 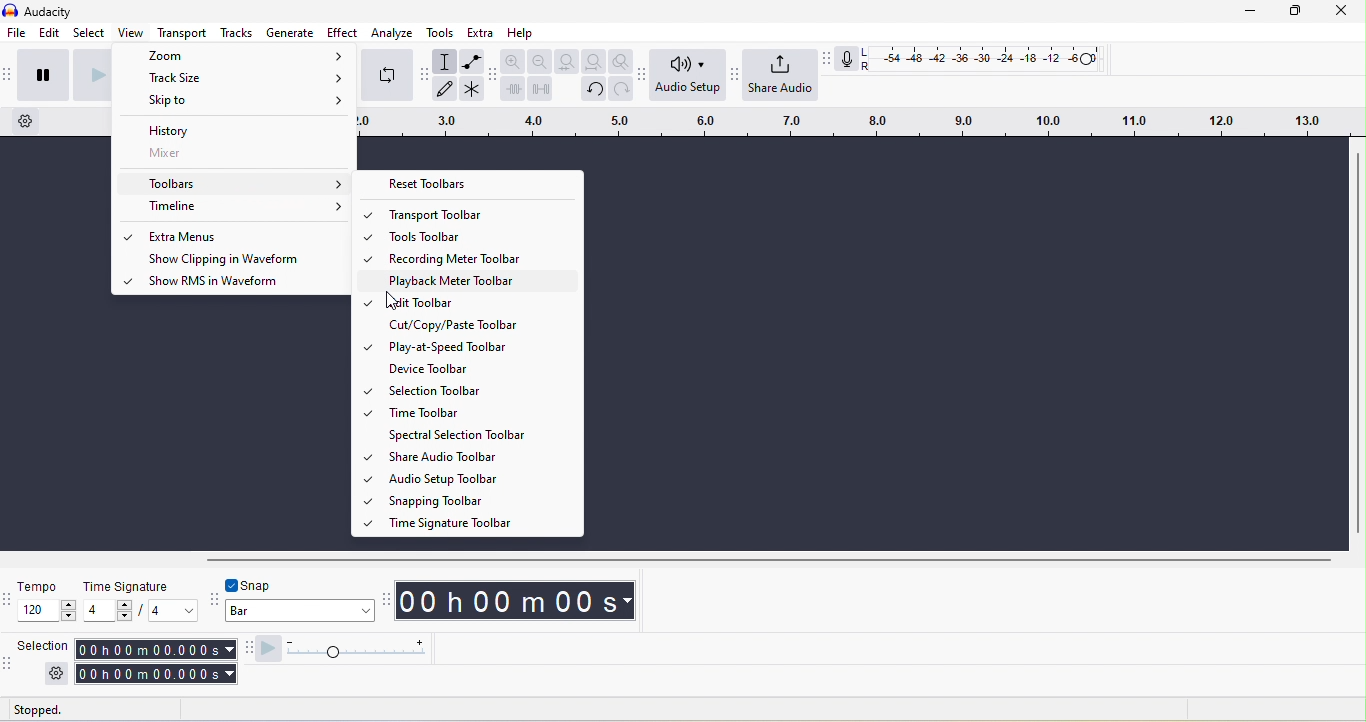 What do you see at coordinates (237, 55) in the screenshot?
I see `Zoom` at bounding box center [237, 55].